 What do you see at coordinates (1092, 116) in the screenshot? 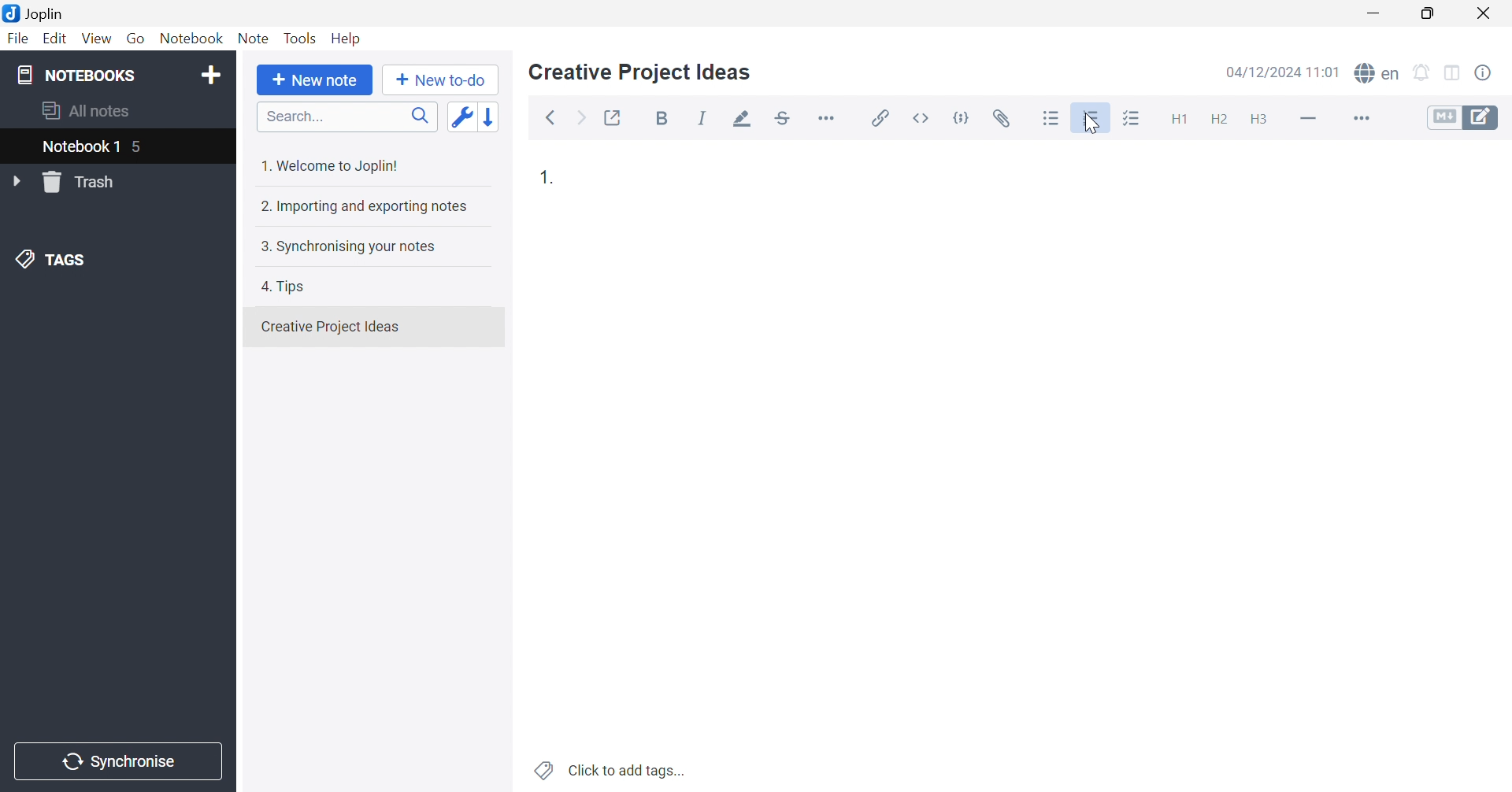
I see `Numbered list` at bounding box center [1092, 116].